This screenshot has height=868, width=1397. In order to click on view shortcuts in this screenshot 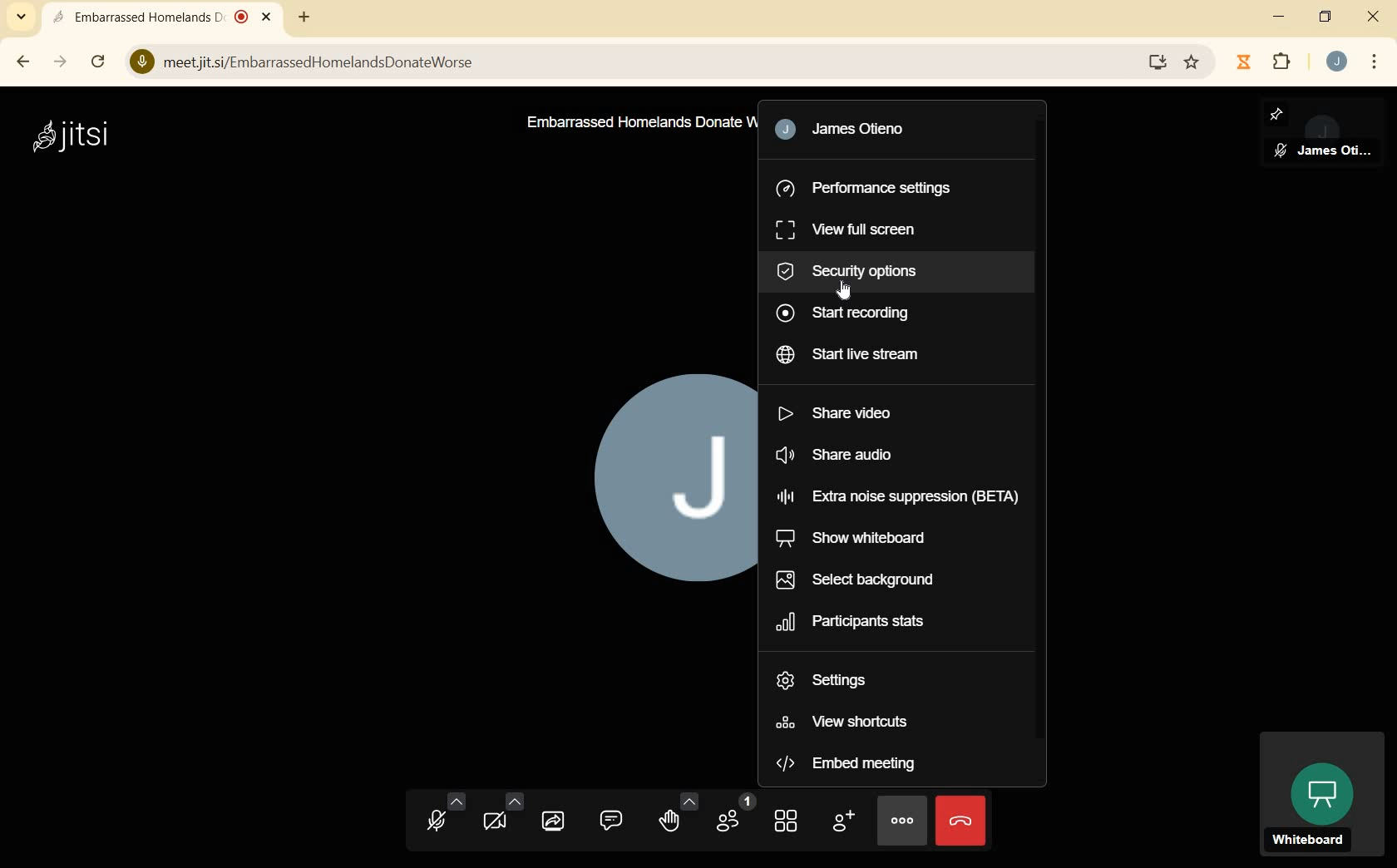, I will do `click(846, 722)`.